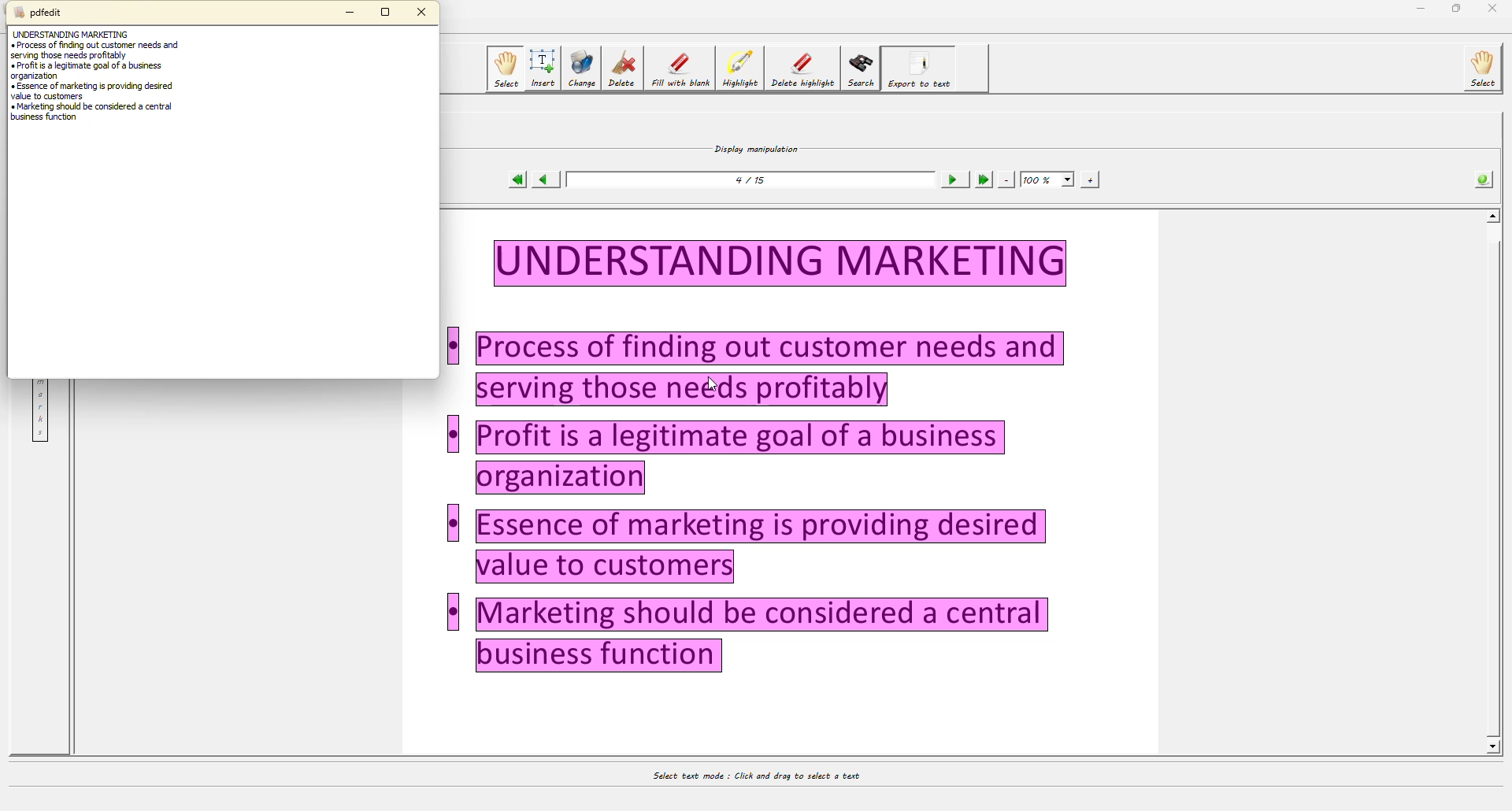 This screenshot has width=1512, height=811. Describe the element at coordinates (1480, 67) in the screenshot. I see `select` at that location.